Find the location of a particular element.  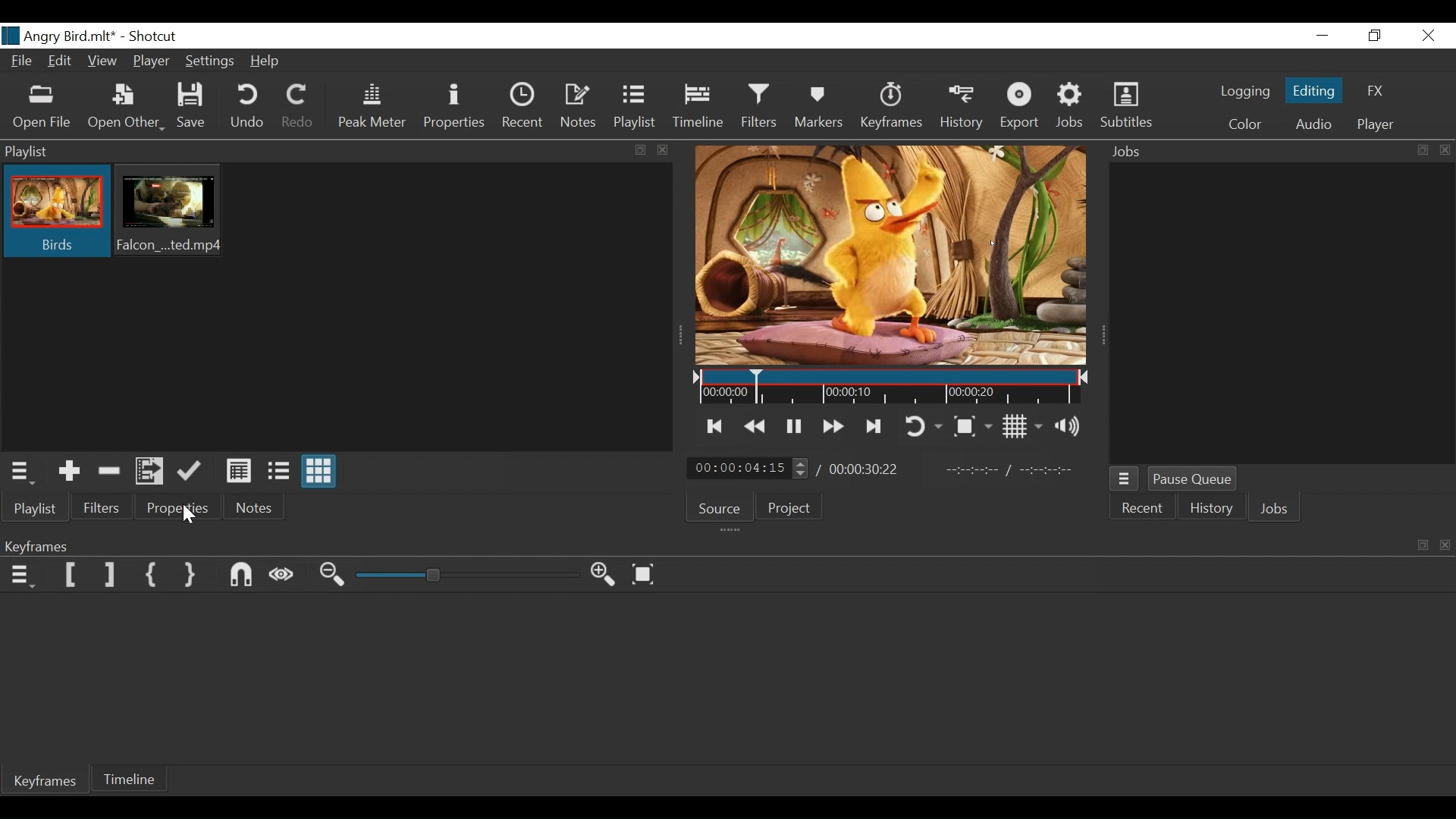

Jobs Panel is located at coordinates (1278, 310).